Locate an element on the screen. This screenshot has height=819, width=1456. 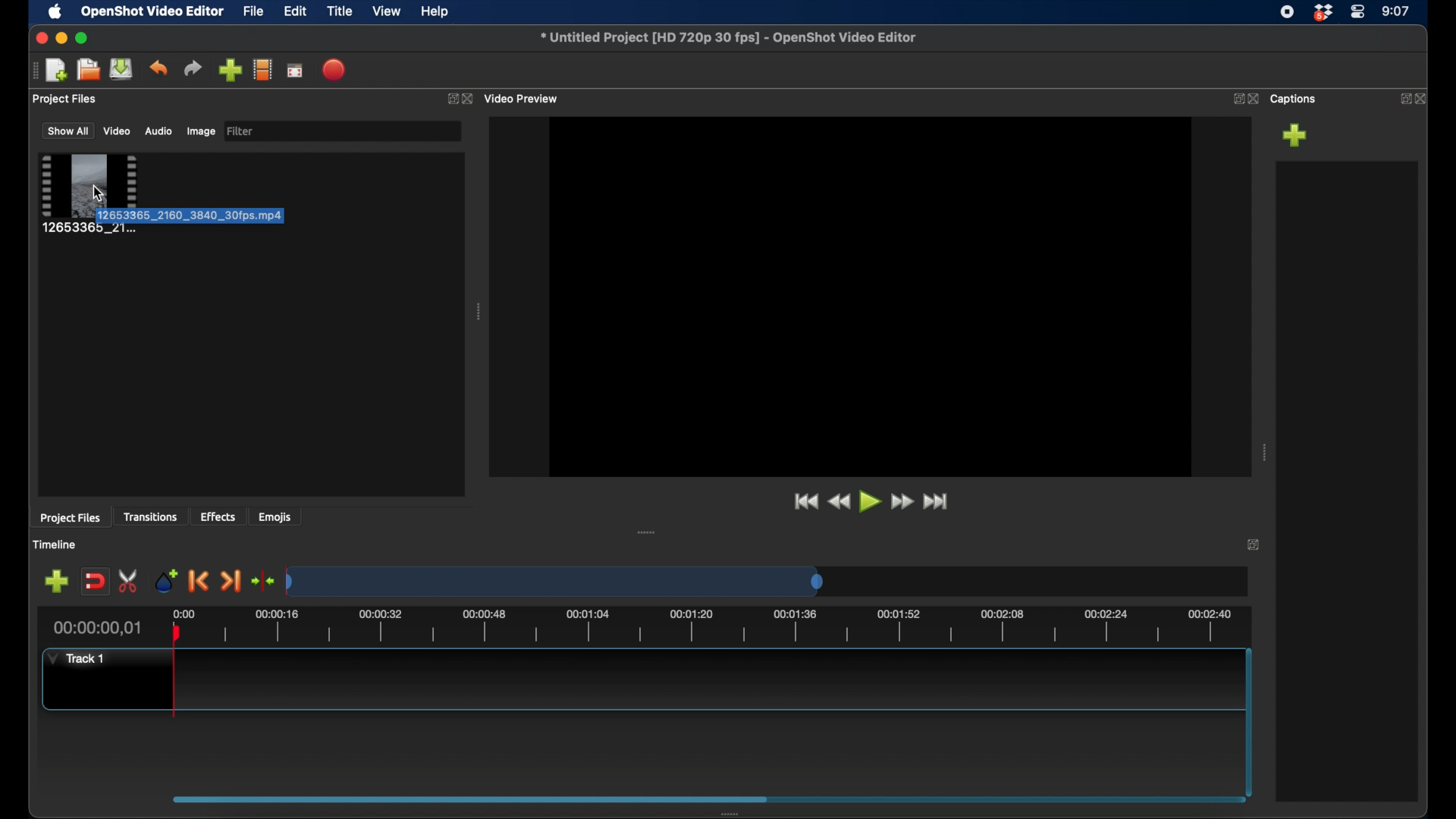
maximize is located at coordinates (83, 38).